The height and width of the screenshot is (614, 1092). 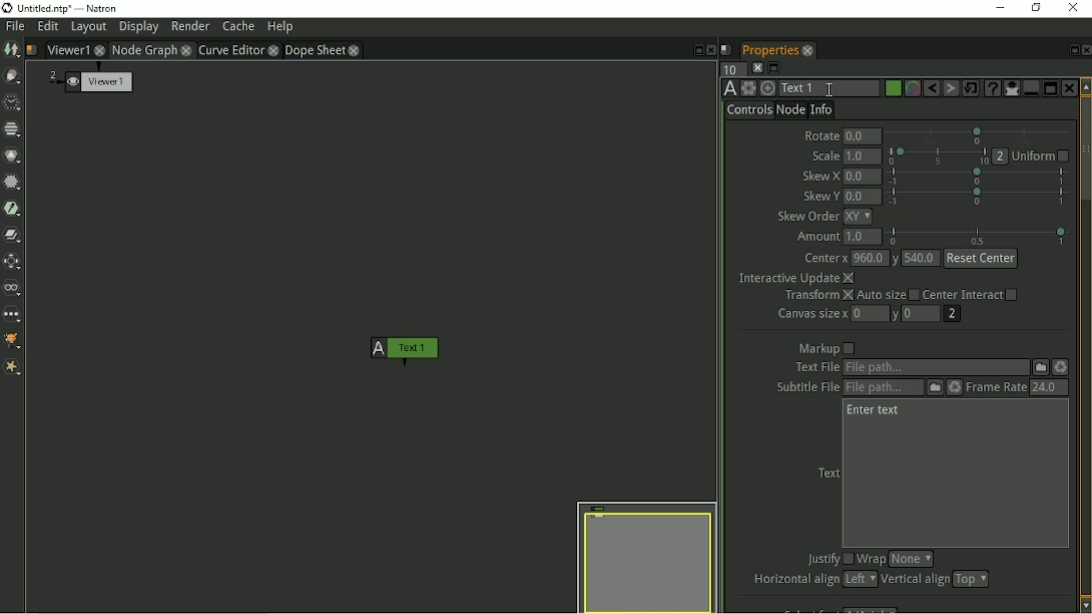 I want to click on Enter text, so click(x=875, y=410).